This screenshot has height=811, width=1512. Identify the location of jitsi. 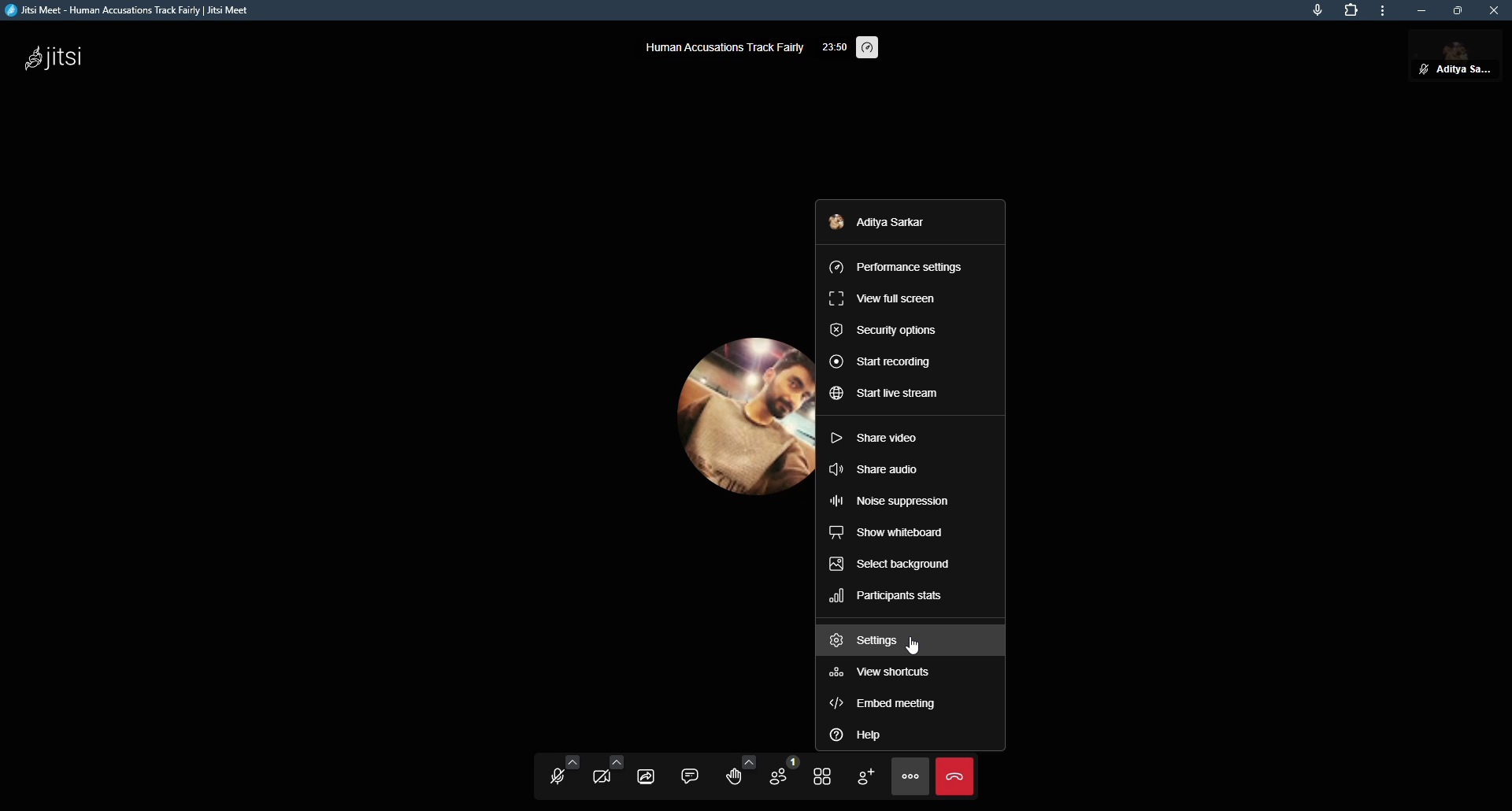
(135, 10).